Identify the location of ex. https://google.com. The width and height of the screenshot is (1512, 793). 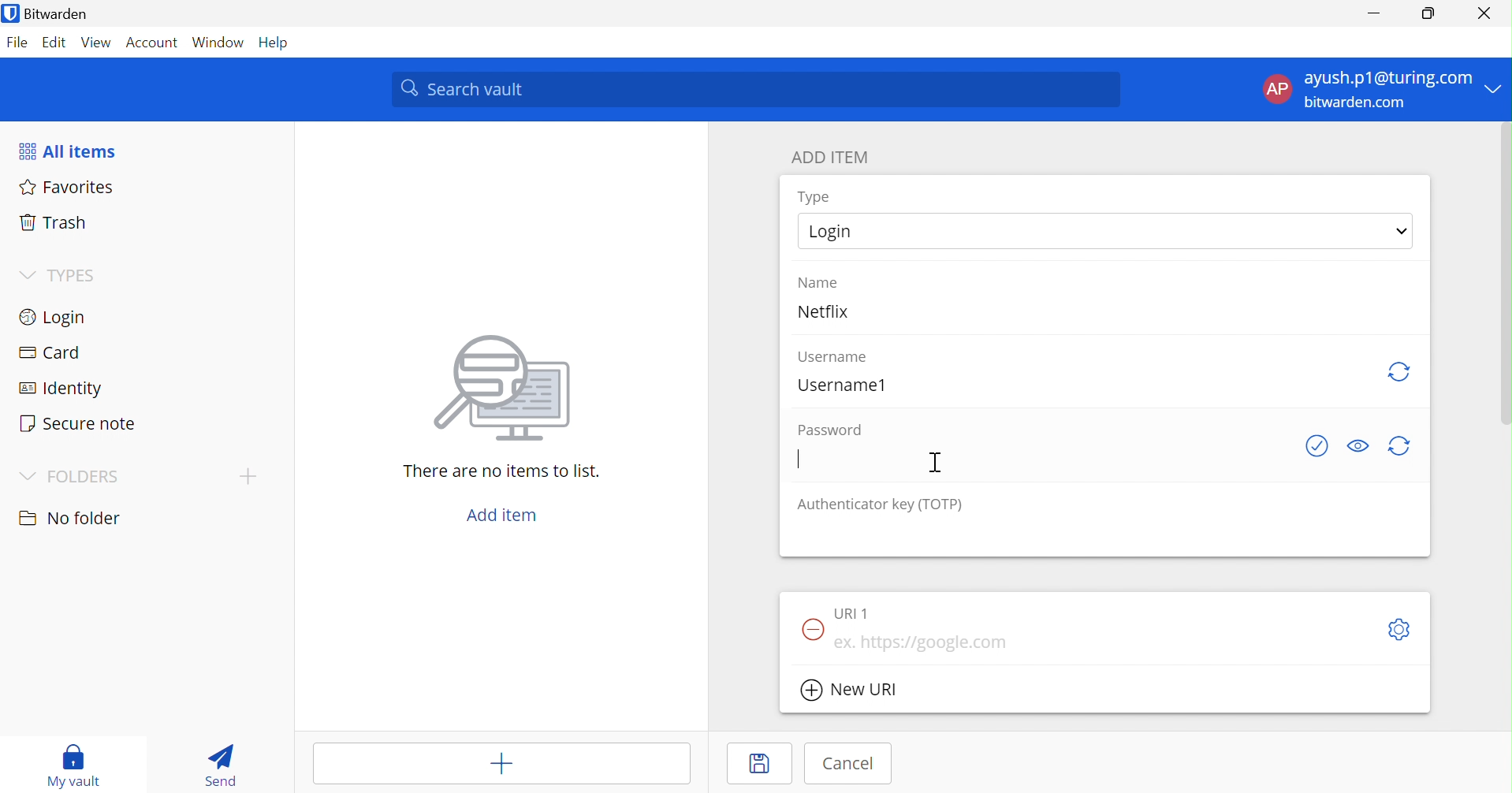
(923, 642).